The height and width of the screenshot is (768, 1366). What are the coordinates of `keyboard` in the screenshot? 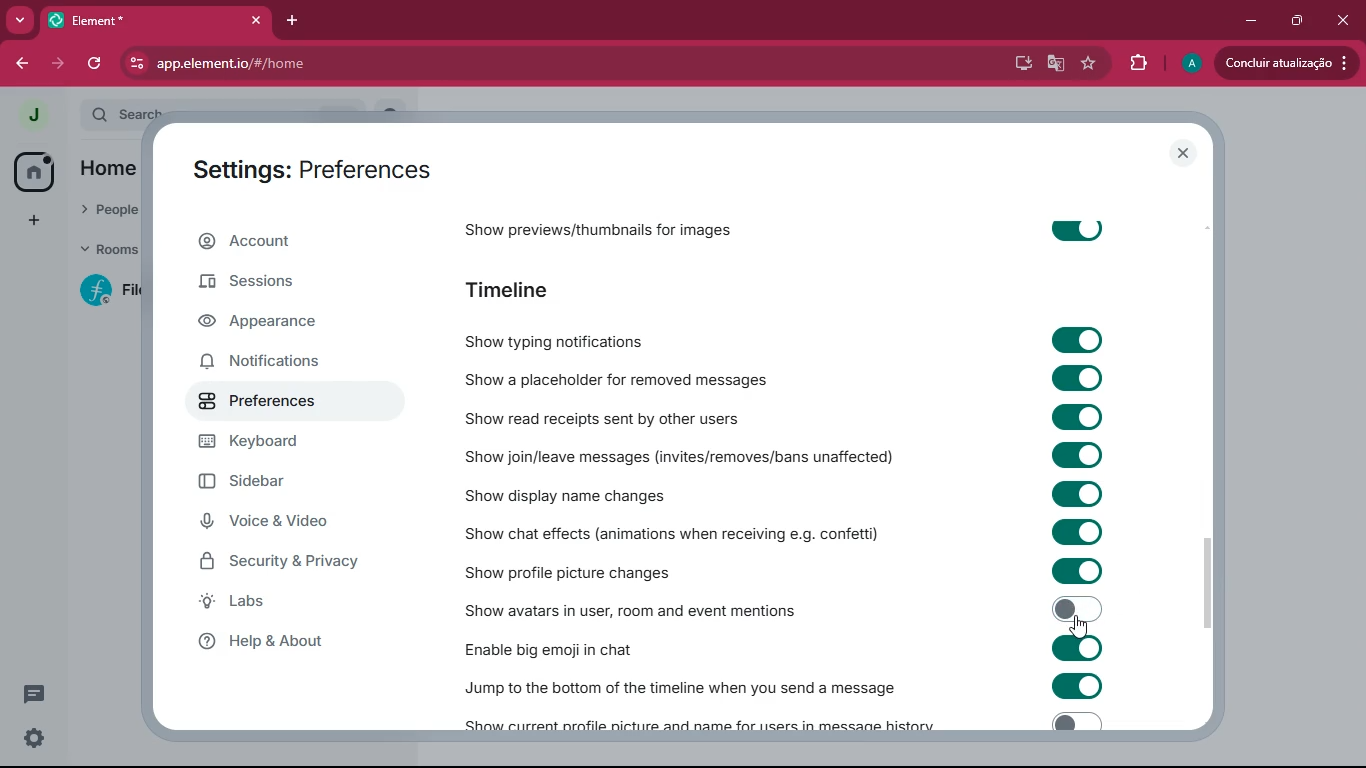 It's located at (286, 444).